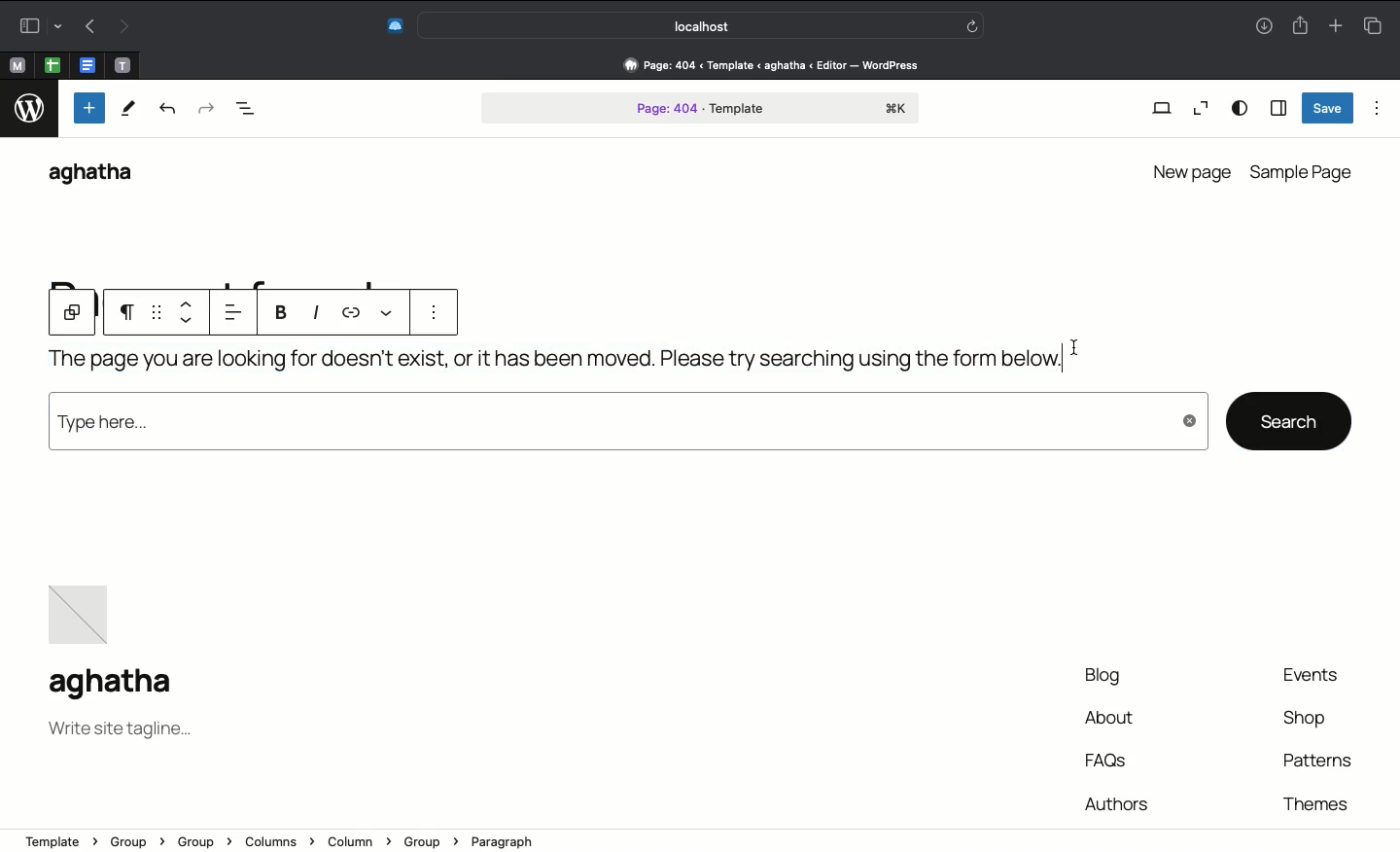  I want to click on Sidebar, so click(37, 25).